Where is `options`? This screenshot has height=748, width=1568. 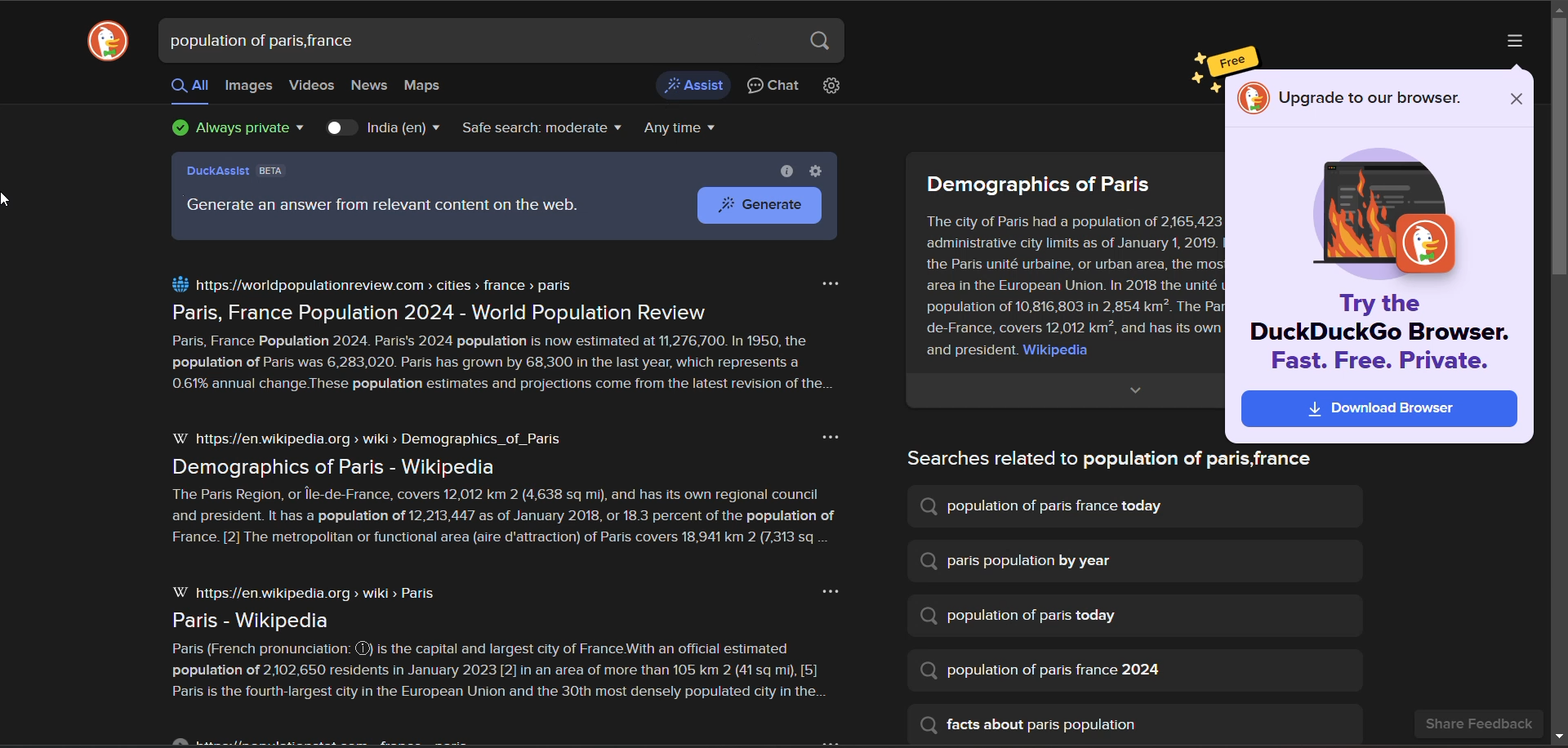
options is located at coordinates (830, 282).